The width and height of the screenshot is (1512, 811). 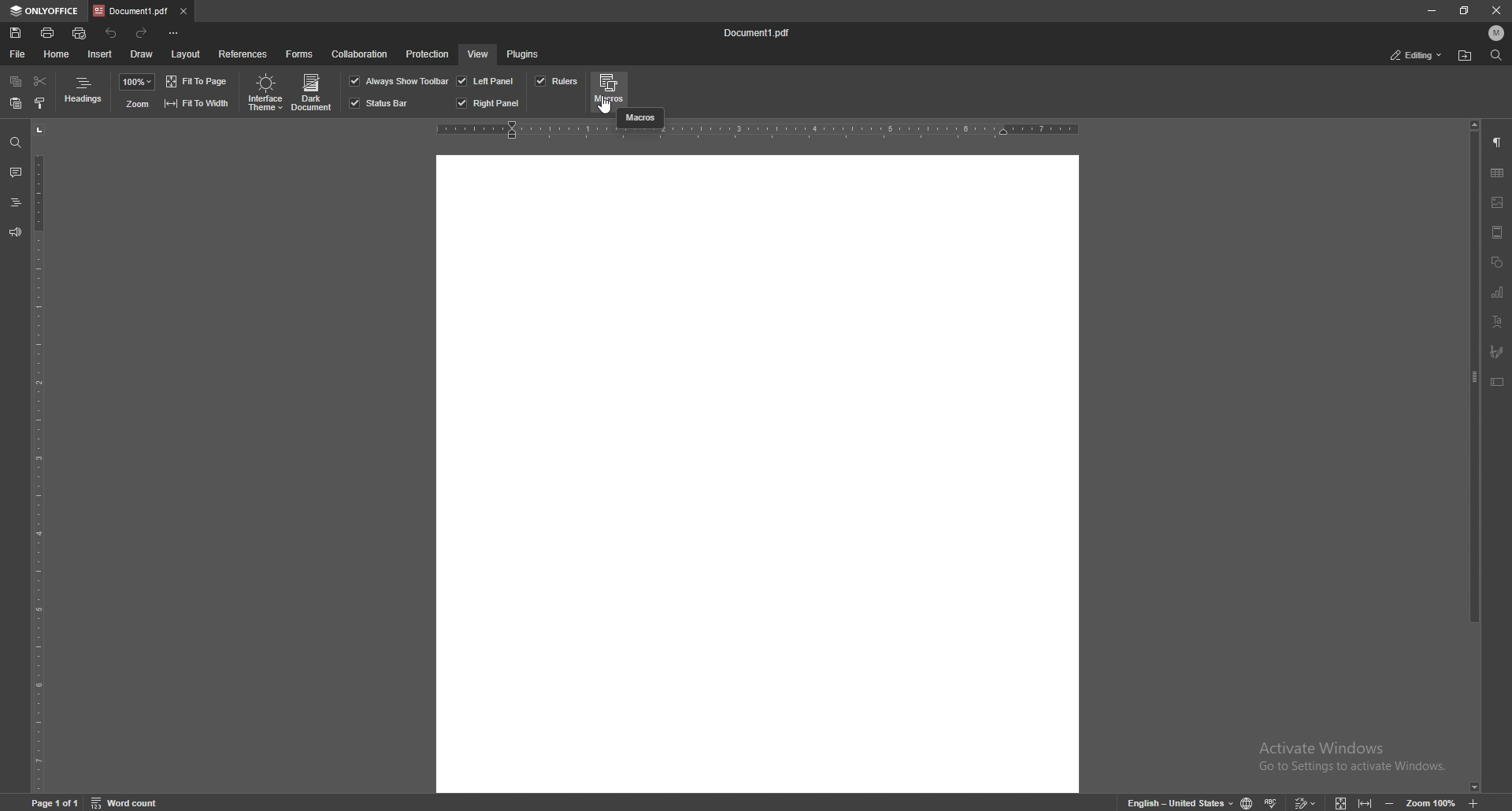 What do you see at coordinates (606, 105) in the screenshot?
I see `cursor` at bounding box center [606, 105].